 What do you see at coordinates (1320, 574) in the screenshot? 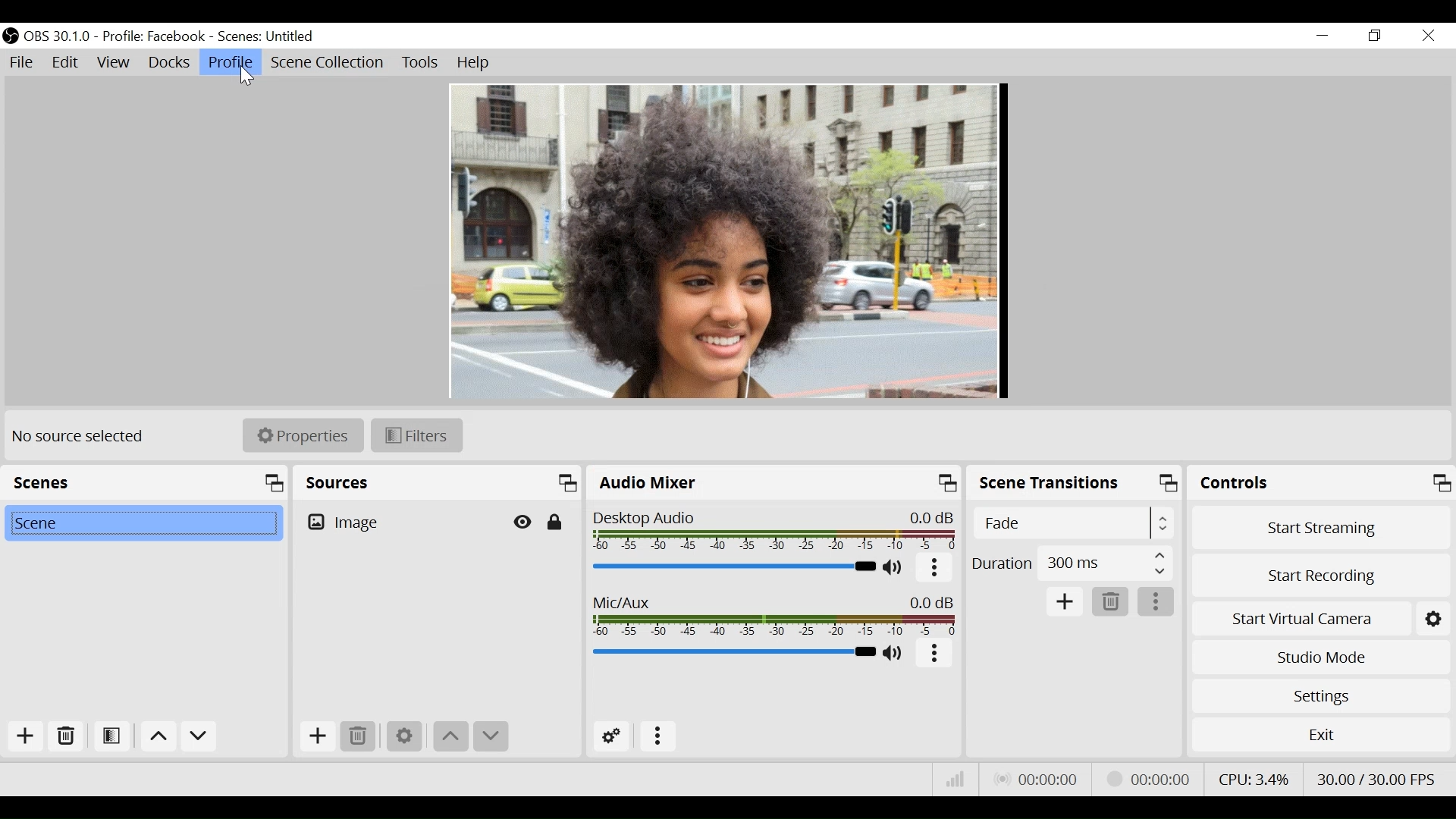
I see `Start Recording` at bounding box center [1320, 574].